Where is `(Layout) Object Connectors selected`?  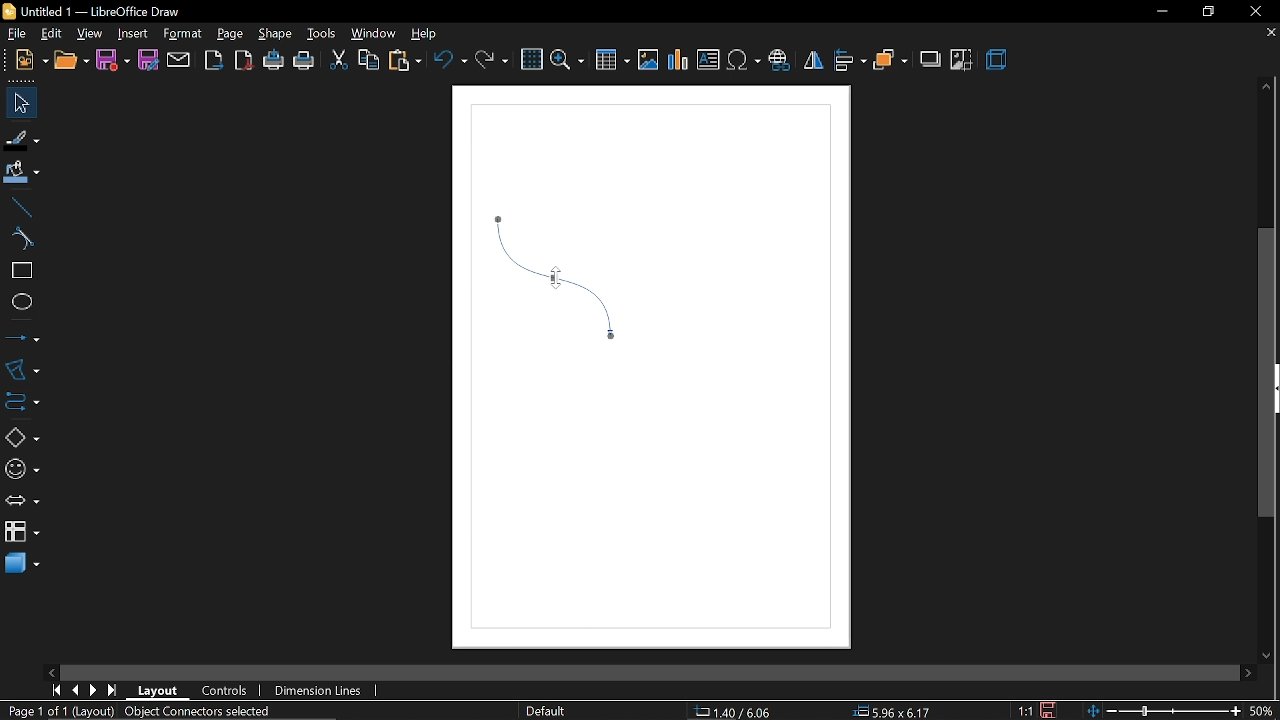 (Layout) Object Connectors selected is located at coordinates (173, 712).